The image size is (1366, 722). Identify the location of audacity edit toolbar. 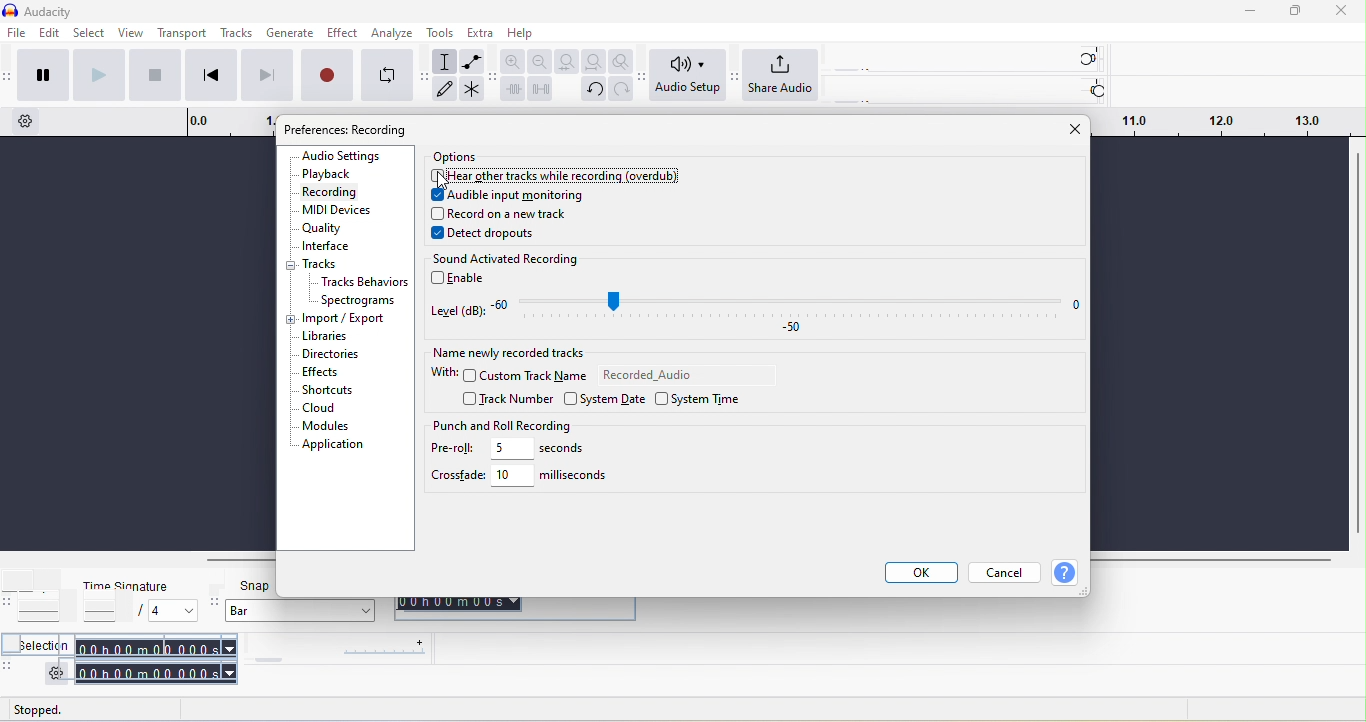
(494, 75).